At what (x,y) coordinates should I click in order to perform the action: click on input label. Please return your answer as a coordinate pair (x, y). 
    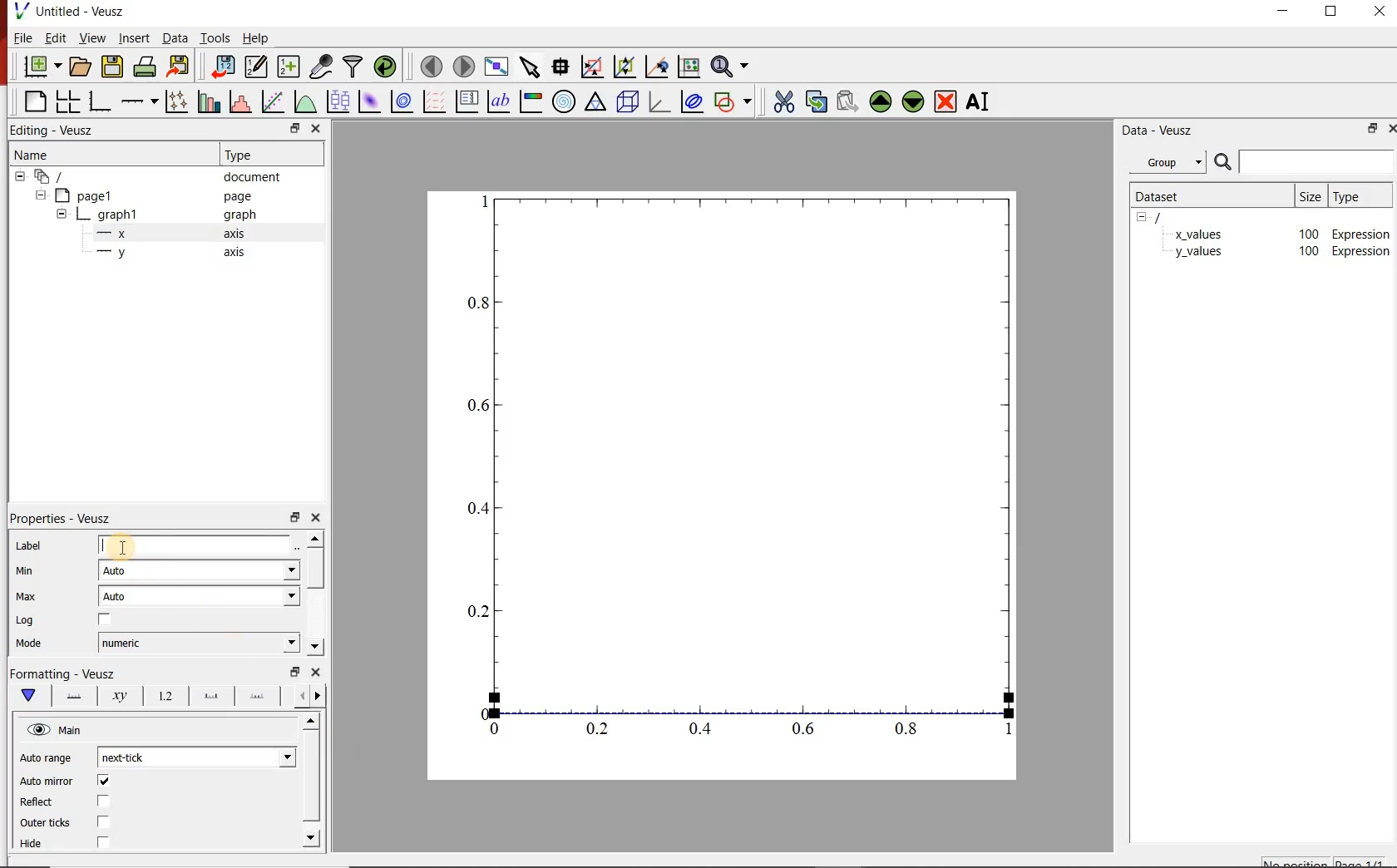
    Looking at the image, I should click on (195, 545).